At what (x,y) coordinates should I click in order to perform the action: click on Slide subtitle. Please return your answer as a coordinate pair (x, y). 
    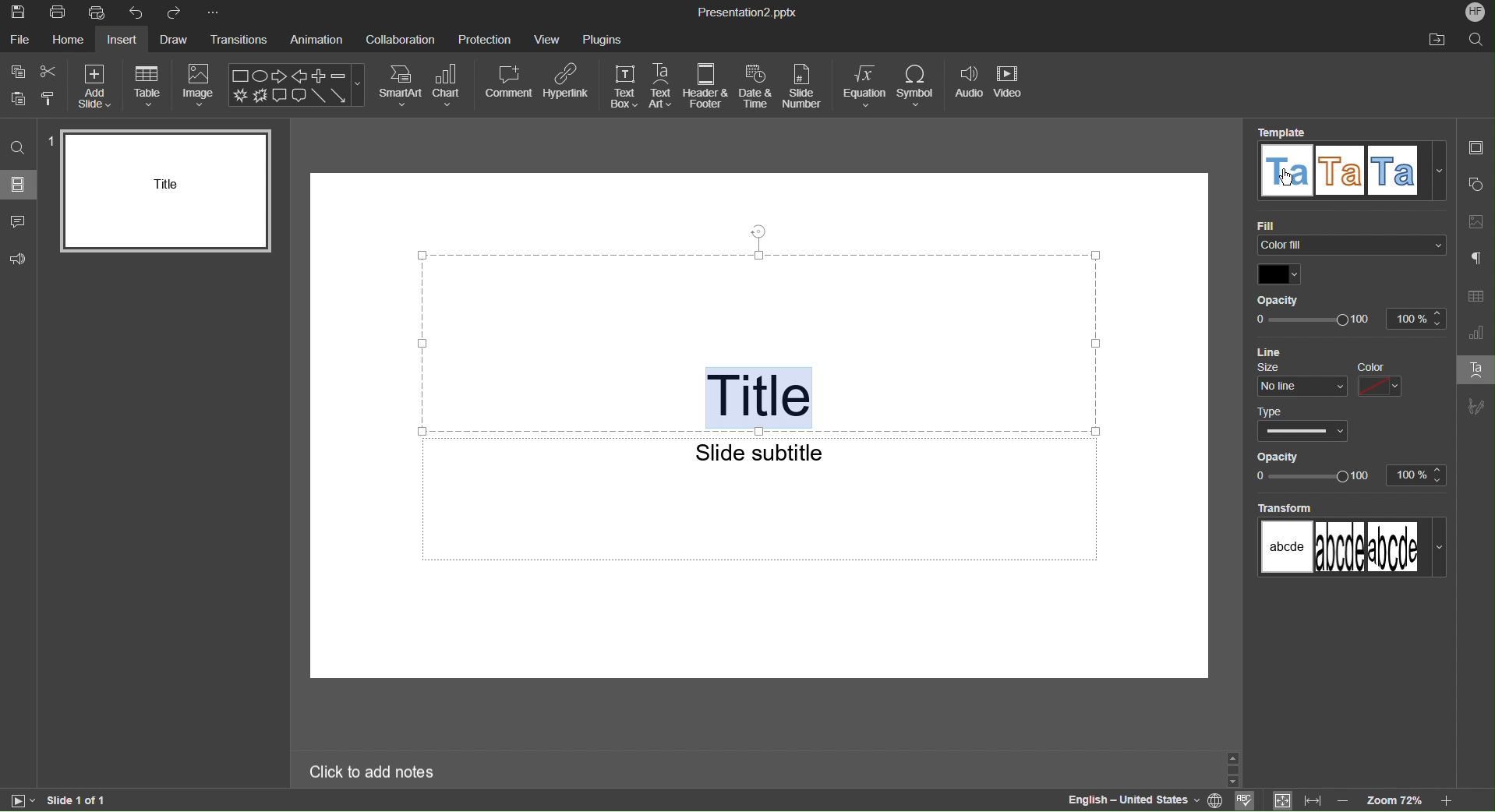
    Looking at the image, I should click on (755, 454).